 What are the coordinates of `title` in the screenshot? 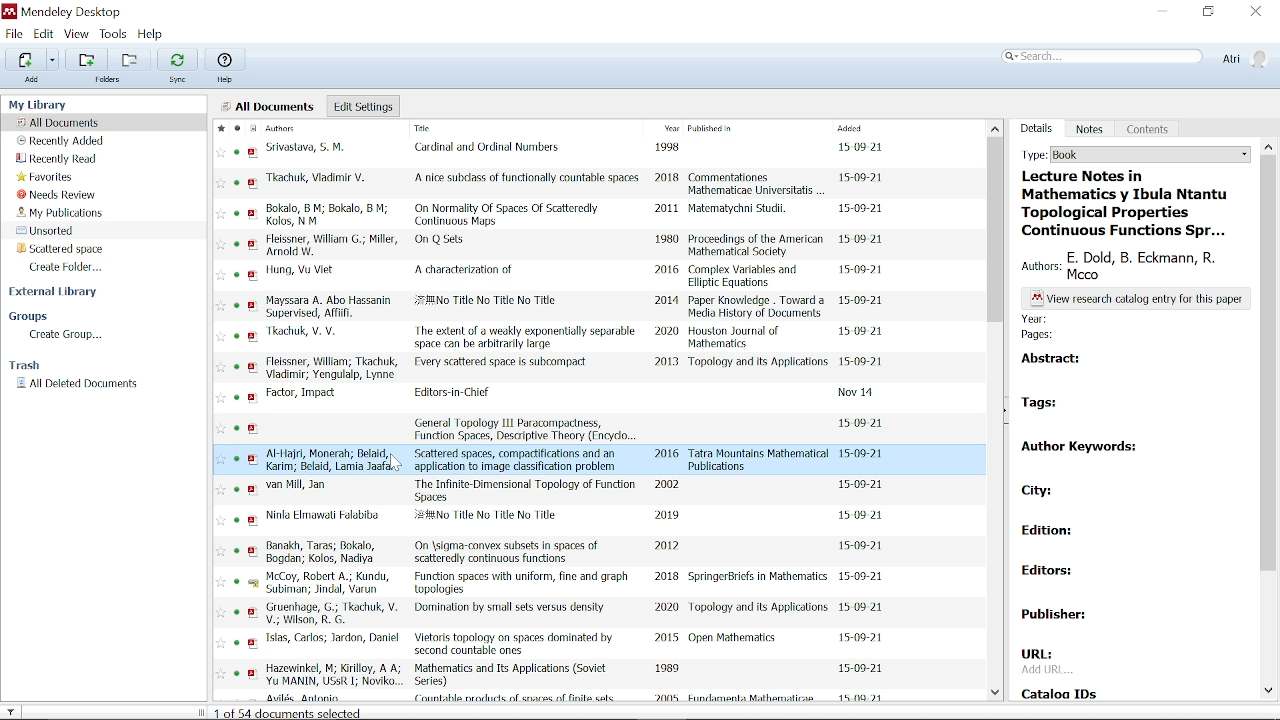 It's located at (488, 303).